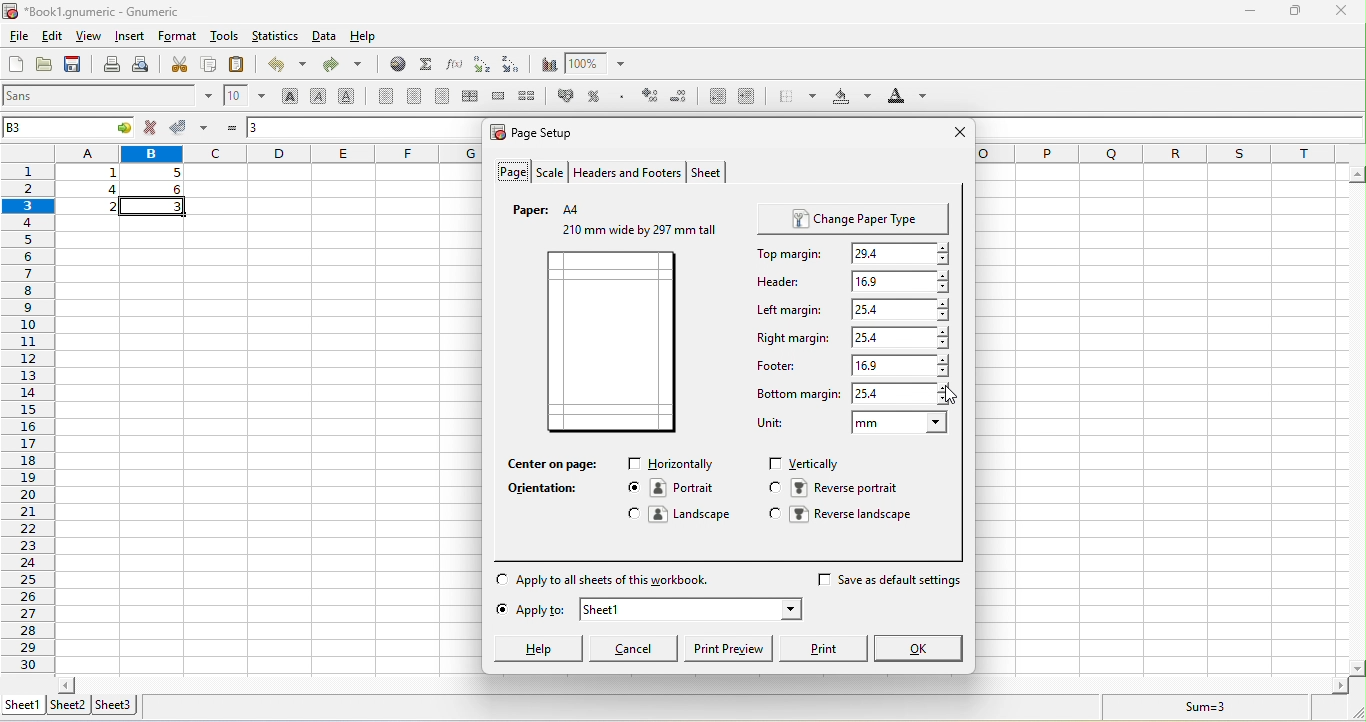 Image resolution: width=1366 pixels, height=722 pixels. Describe the element at coordinates (748, 99) in the screenshot. I see `increase the indent` at that location.